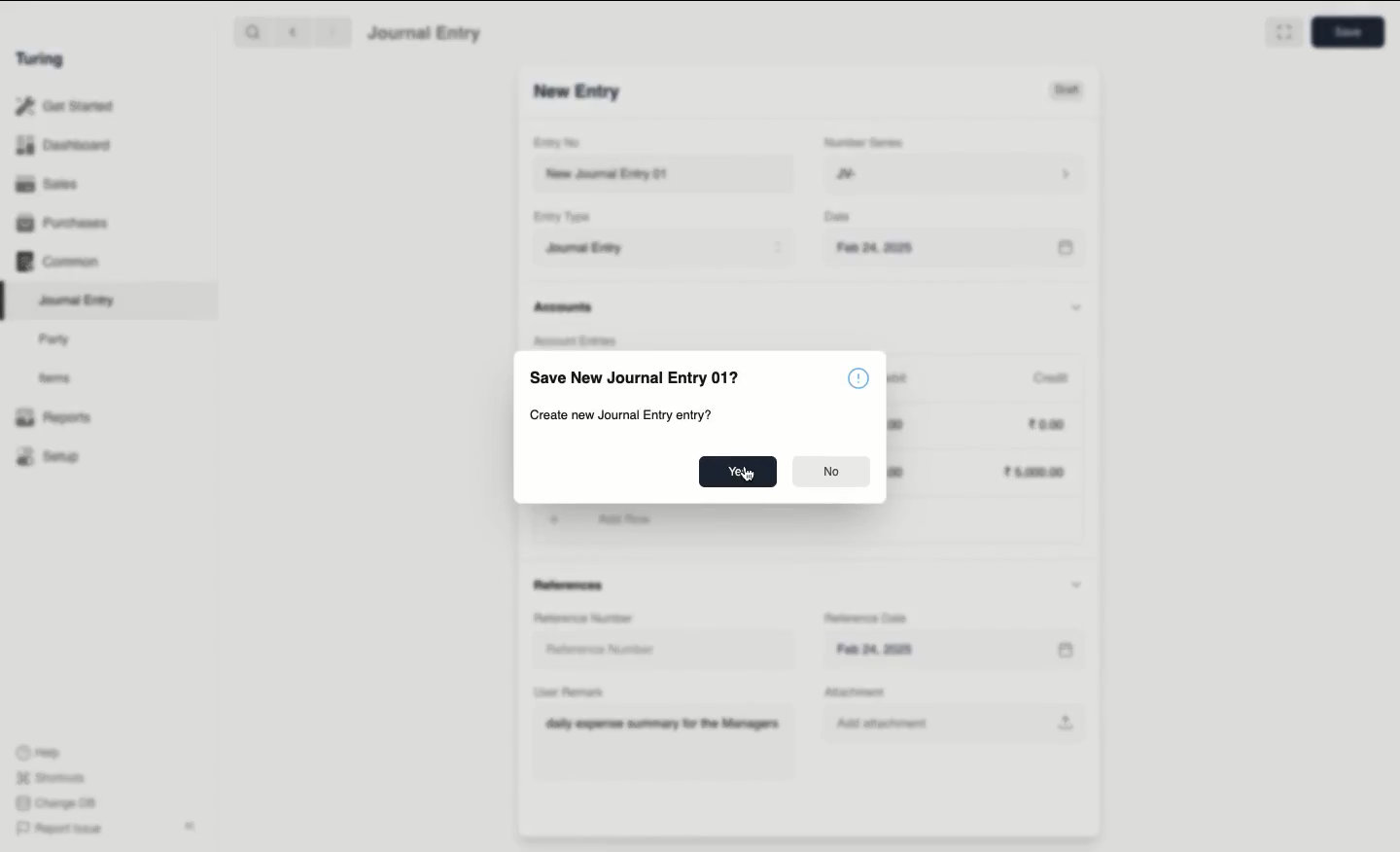 This screenshot has width=1400, height=852. Describe the element at coordinates (1284, 32) in the screenshot. I see `Toggle between form and full width` at that location.